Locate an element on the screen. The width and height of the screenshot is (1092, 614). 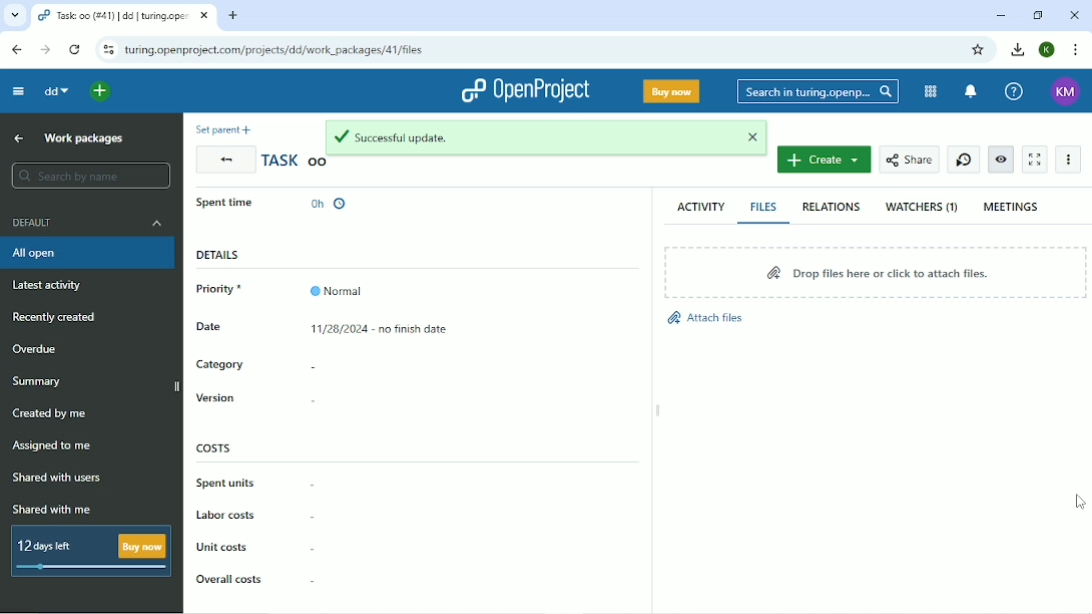
Site is located at coordinates (276, 50).